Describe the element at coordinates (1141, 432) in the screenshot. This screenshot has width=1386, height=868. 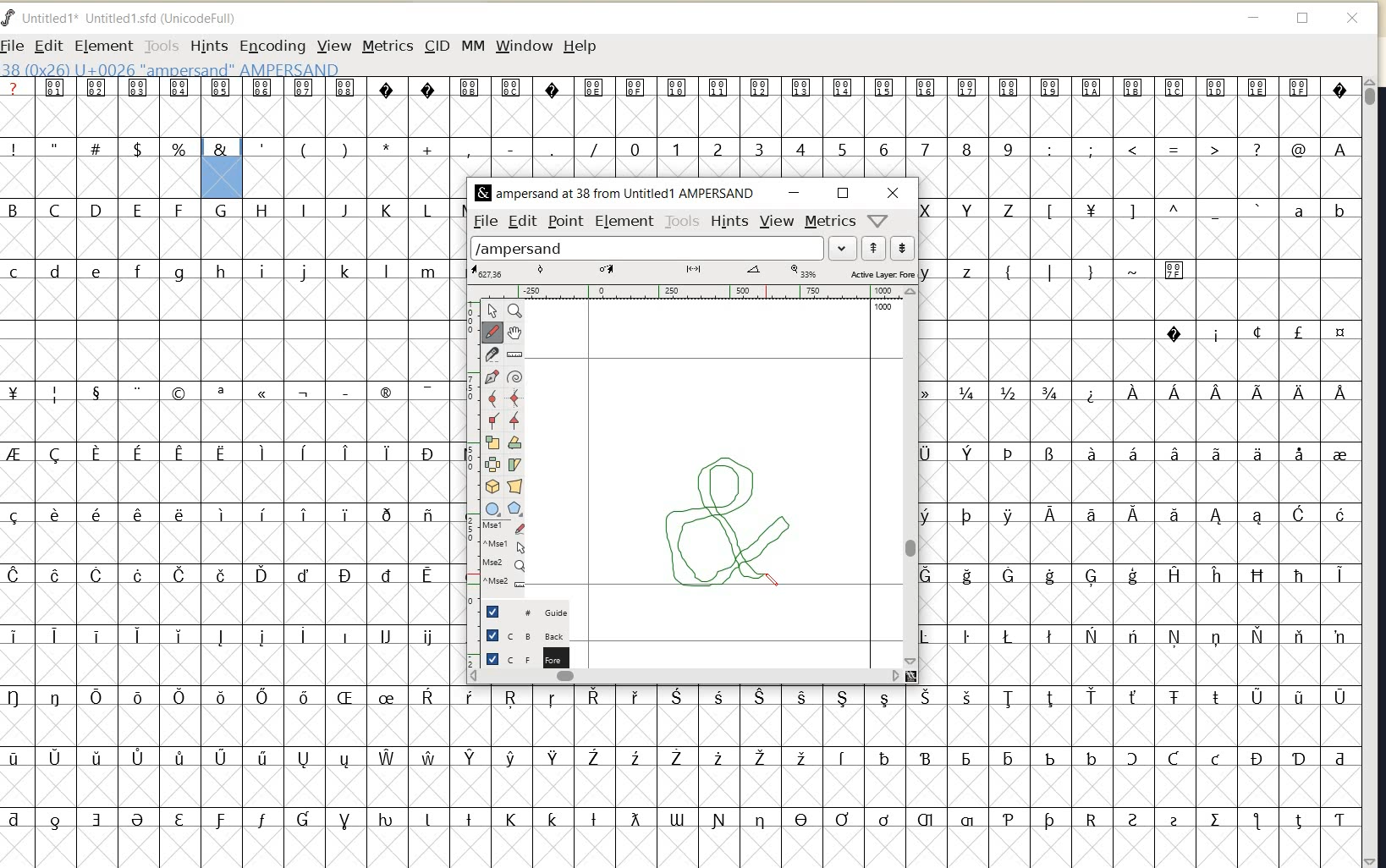
I see `glyph characters & numbers` at that location.